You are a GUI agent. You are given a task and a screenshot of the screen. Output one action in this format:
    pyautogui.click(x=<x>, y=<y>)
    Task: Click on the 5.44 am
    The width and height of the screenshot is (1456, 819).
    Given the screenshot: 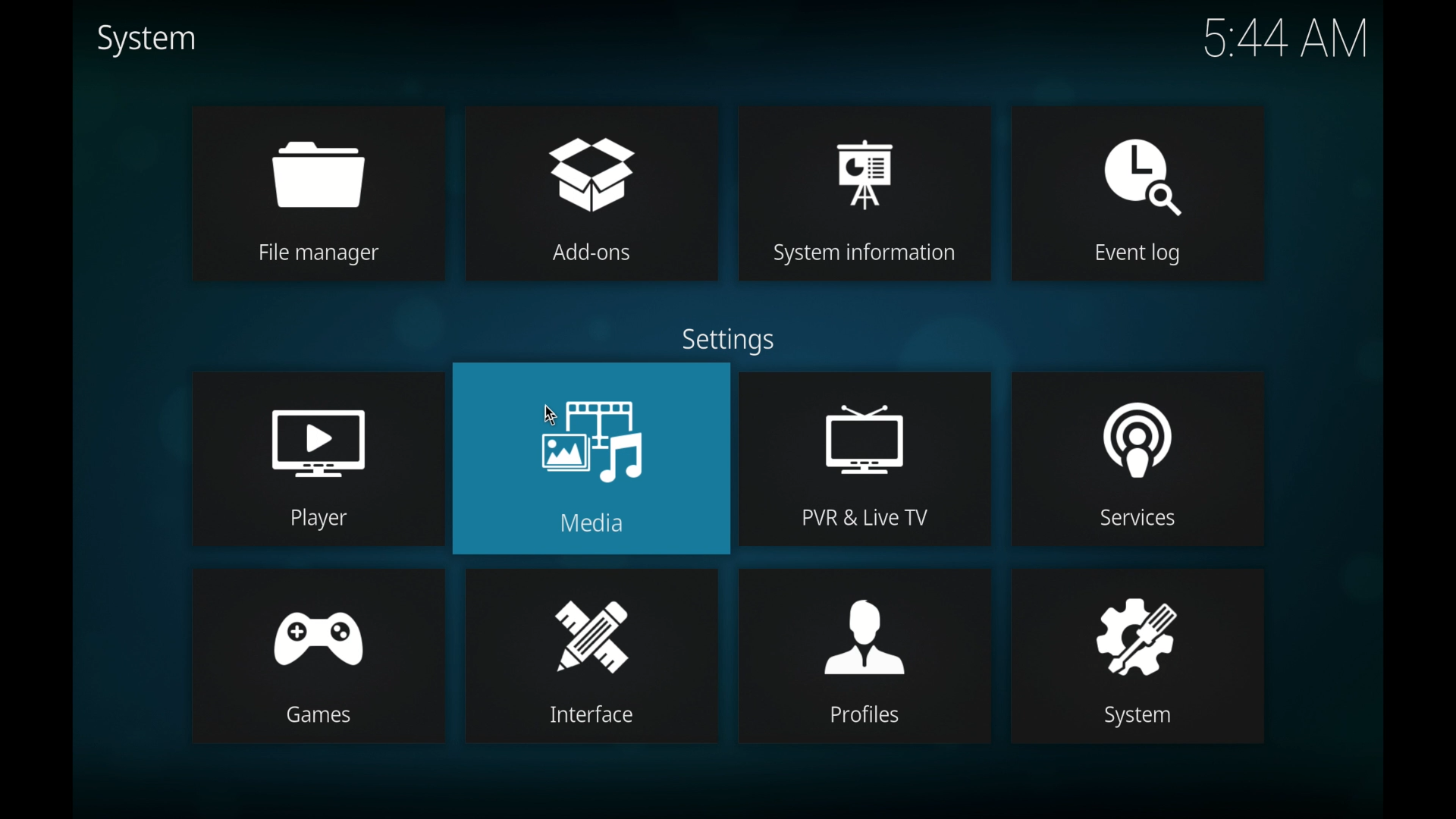 What is the action you would take?
    pyautogui.click(x=1288, y=40)
    